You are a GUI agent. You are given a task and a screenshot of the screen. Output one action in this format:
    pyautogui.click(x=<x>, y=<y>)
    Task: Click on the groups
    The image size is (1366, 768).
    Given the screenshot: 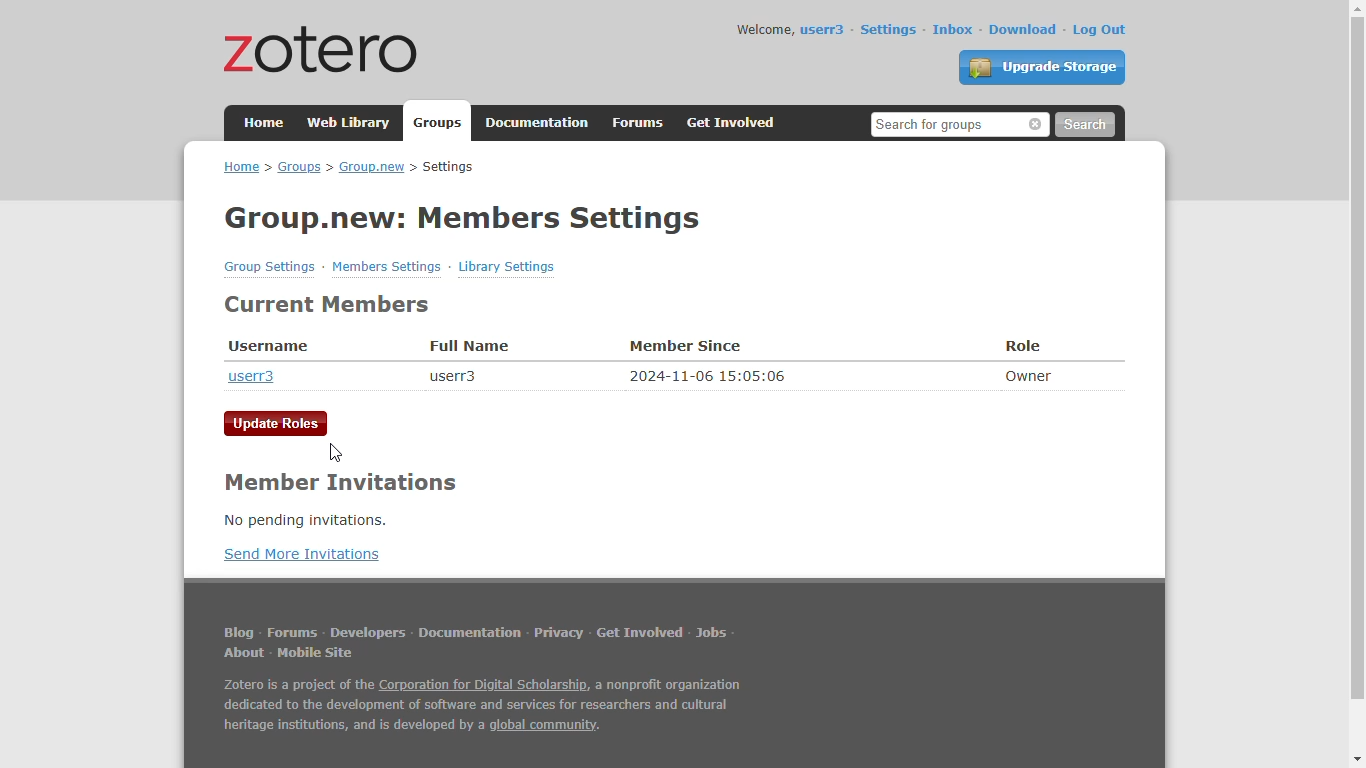 What is the action you would take?
    pyautogui.click(x=440, y=123)
    